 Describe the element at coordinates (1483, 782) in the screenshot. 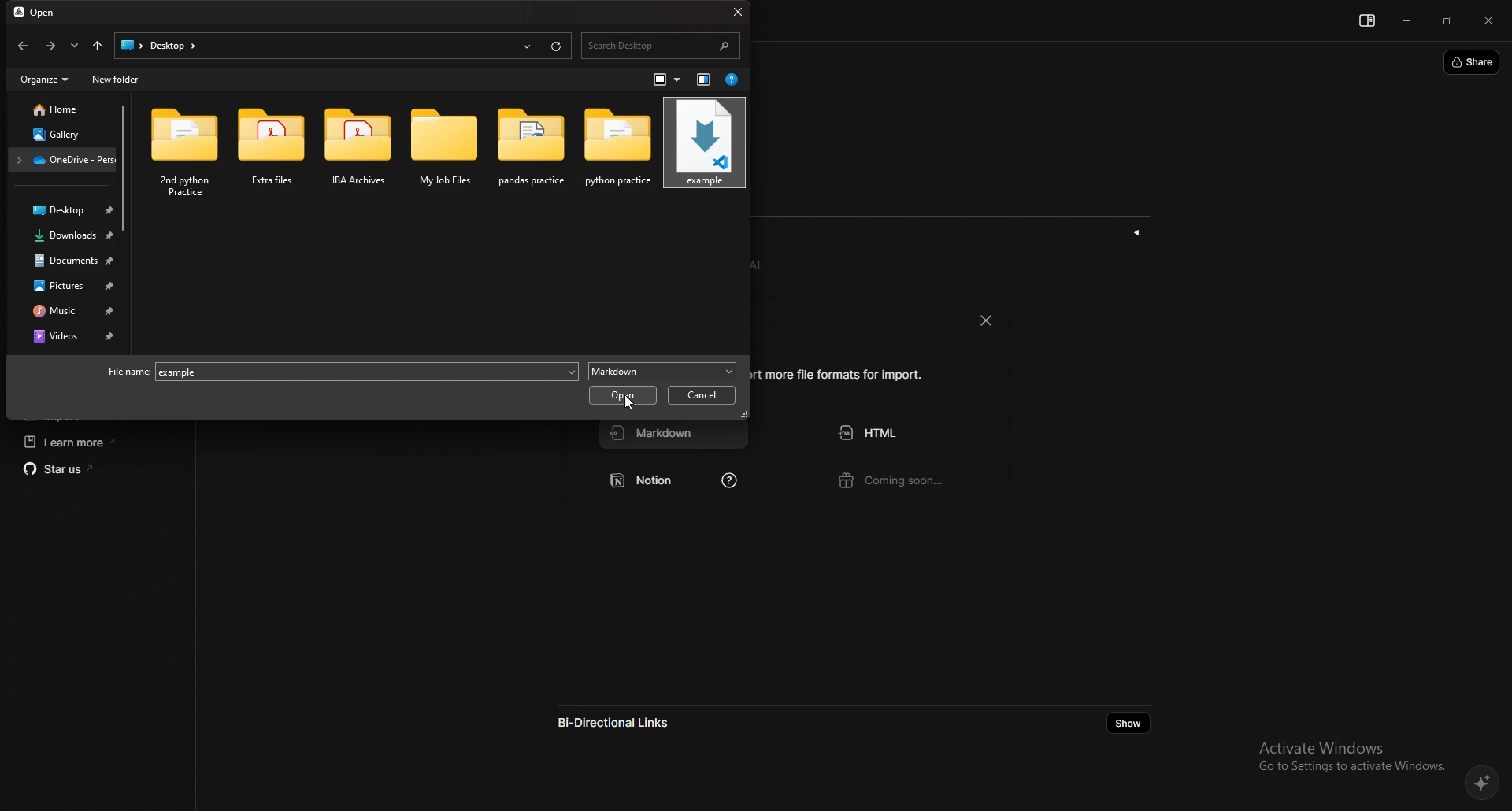

I see `affine AI` at that location.